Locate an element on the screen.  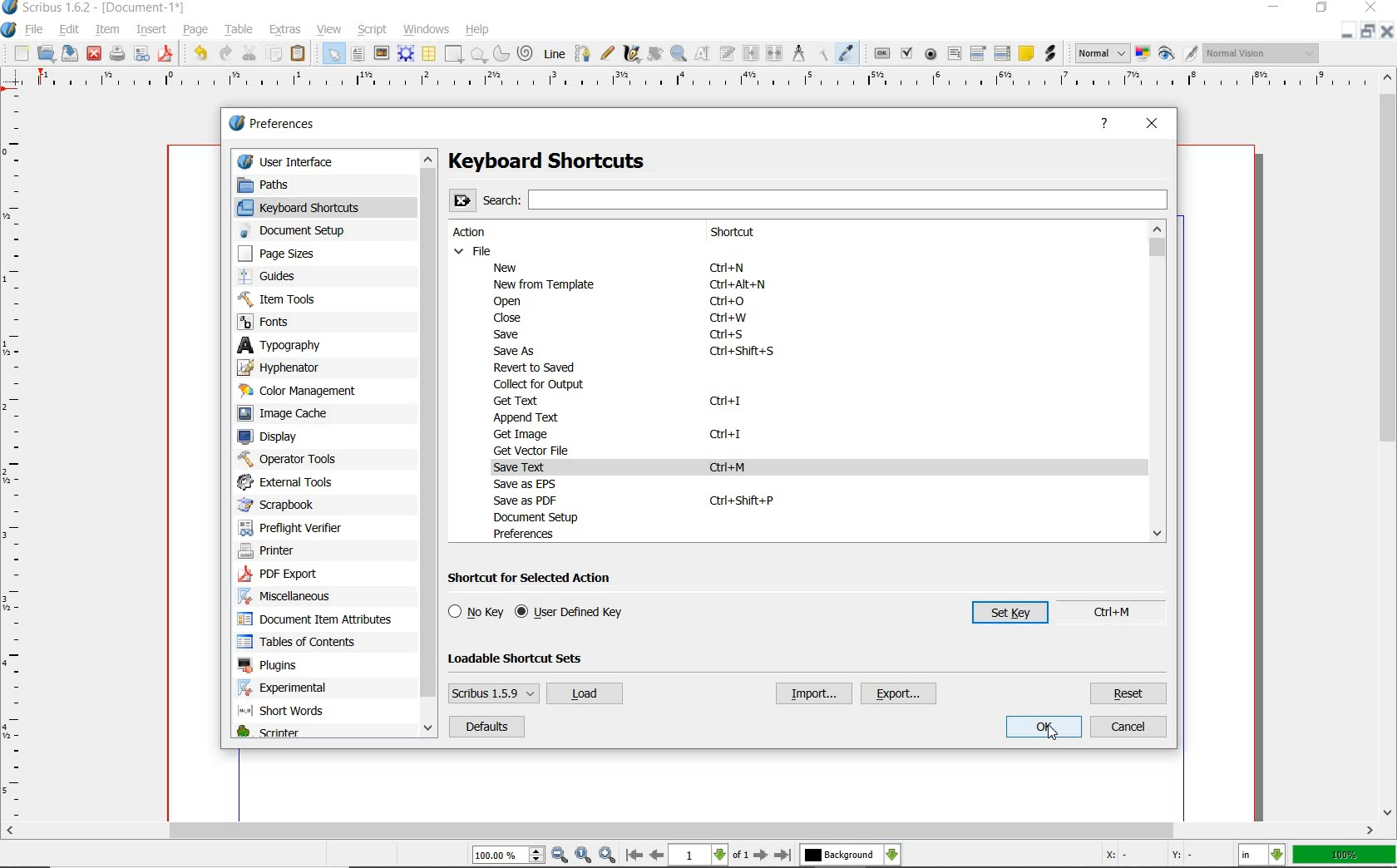
Ctrl + Alt + N is located at coordinates (738, 287).